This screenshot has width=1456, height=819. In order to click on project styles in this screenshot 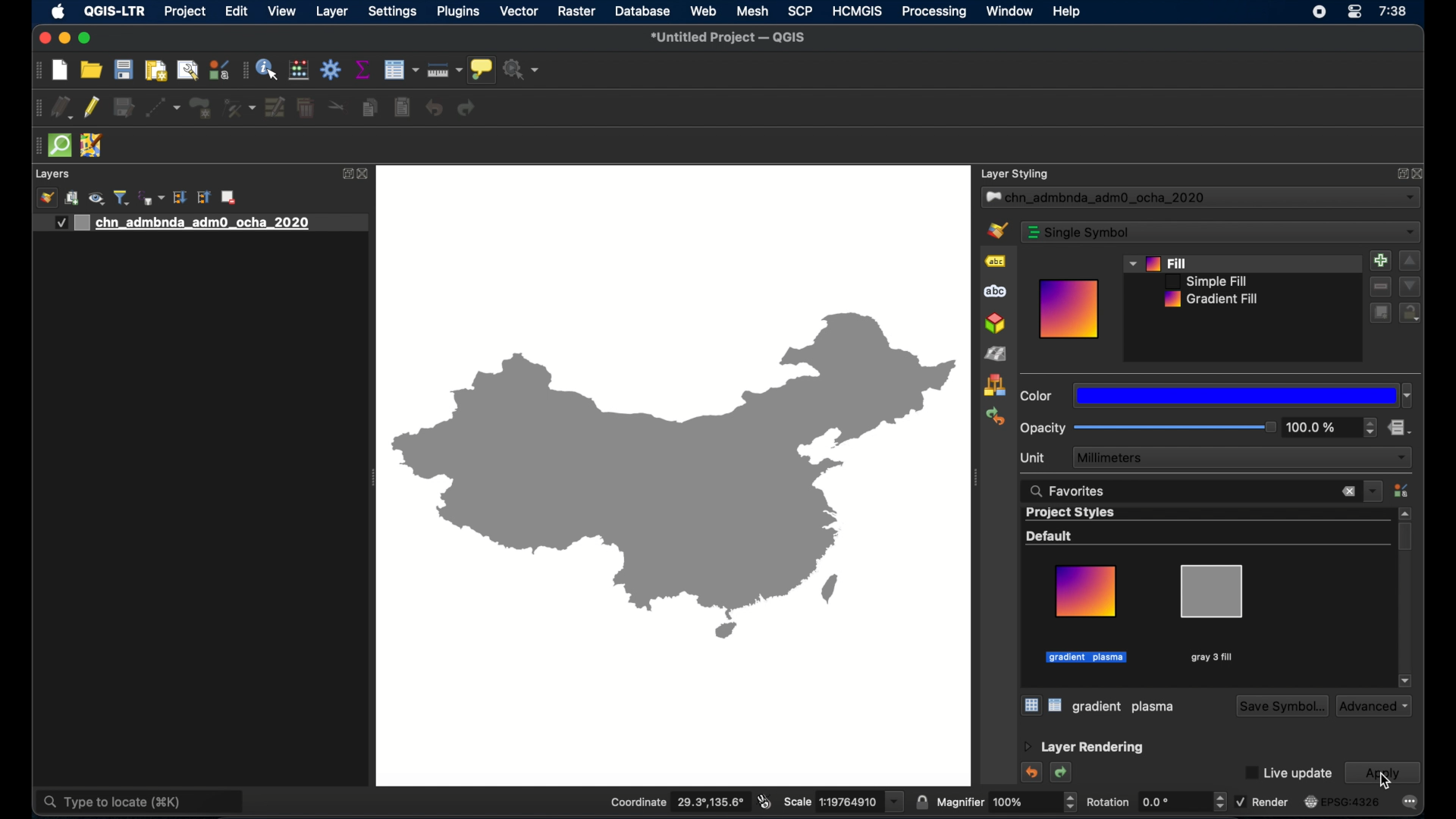, I will do `click(1072, 513)`.